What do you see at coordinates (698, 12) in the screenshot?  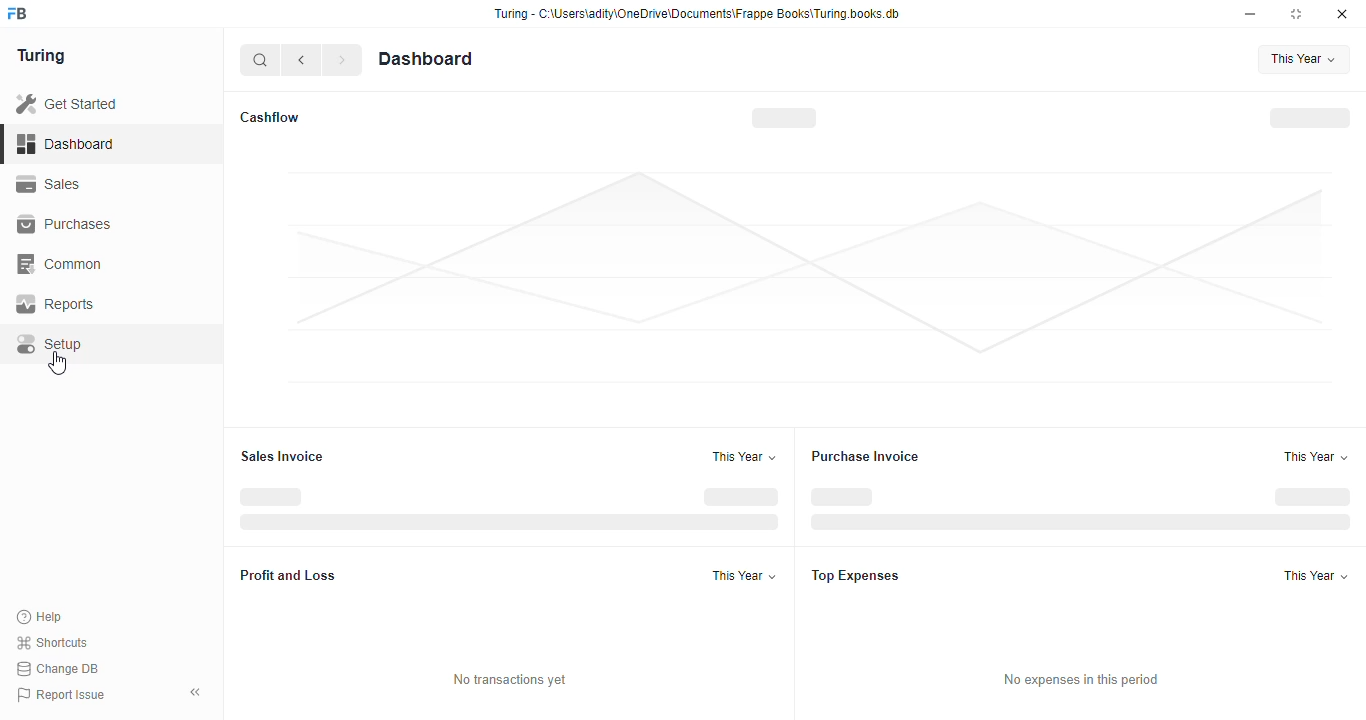 I see `Turing - C-\Users\adity\OneDrive\Documents\Frappe Books\Turing.books.db` at bounding box center [698, 12].